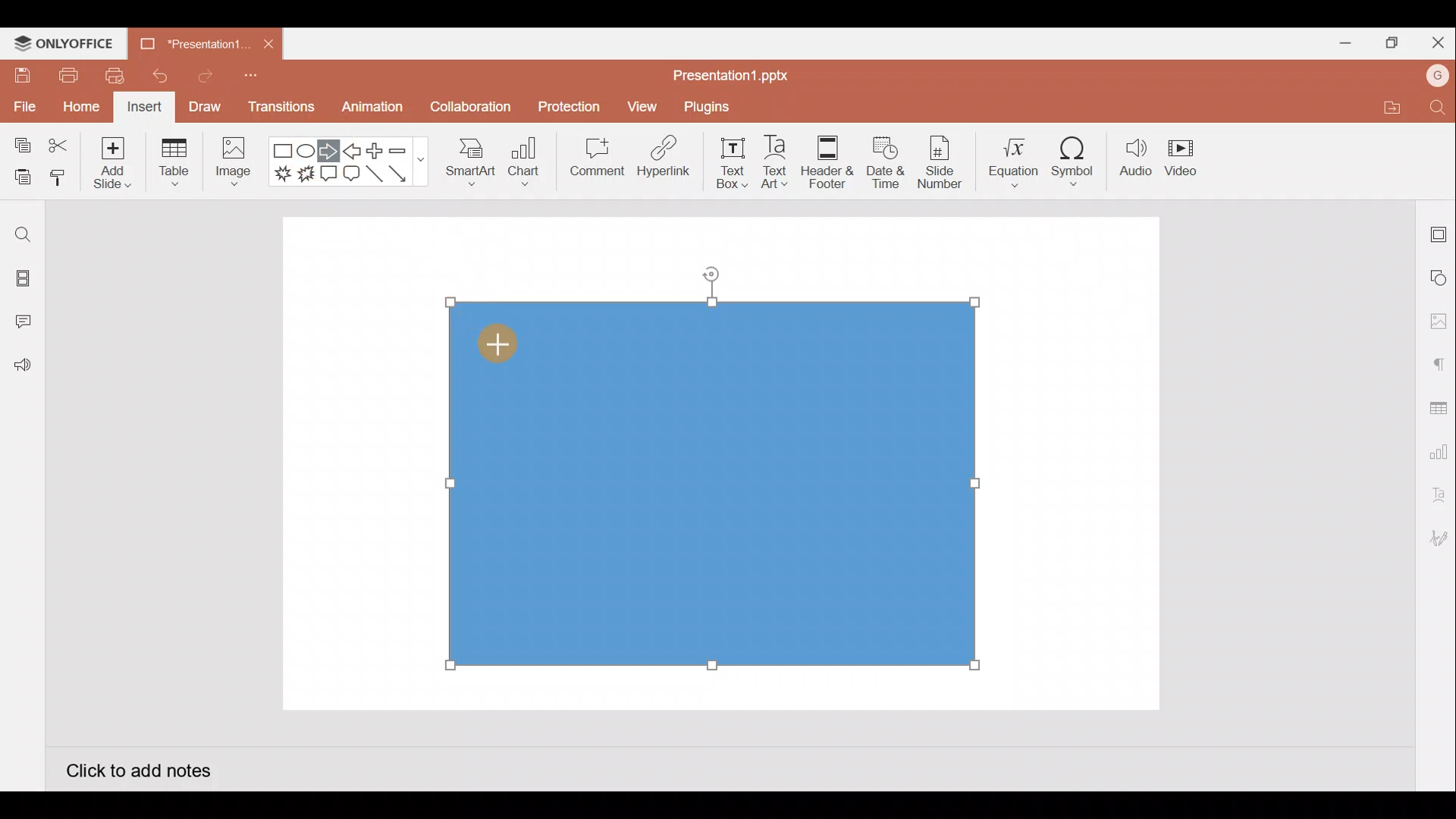 Image resolution: width=1456 pixels, height=819 pixels. What do you see at coordinates (736, 73) in the screenshot?
I see `Presentation1.pptx` at bounding box center [736, 73].